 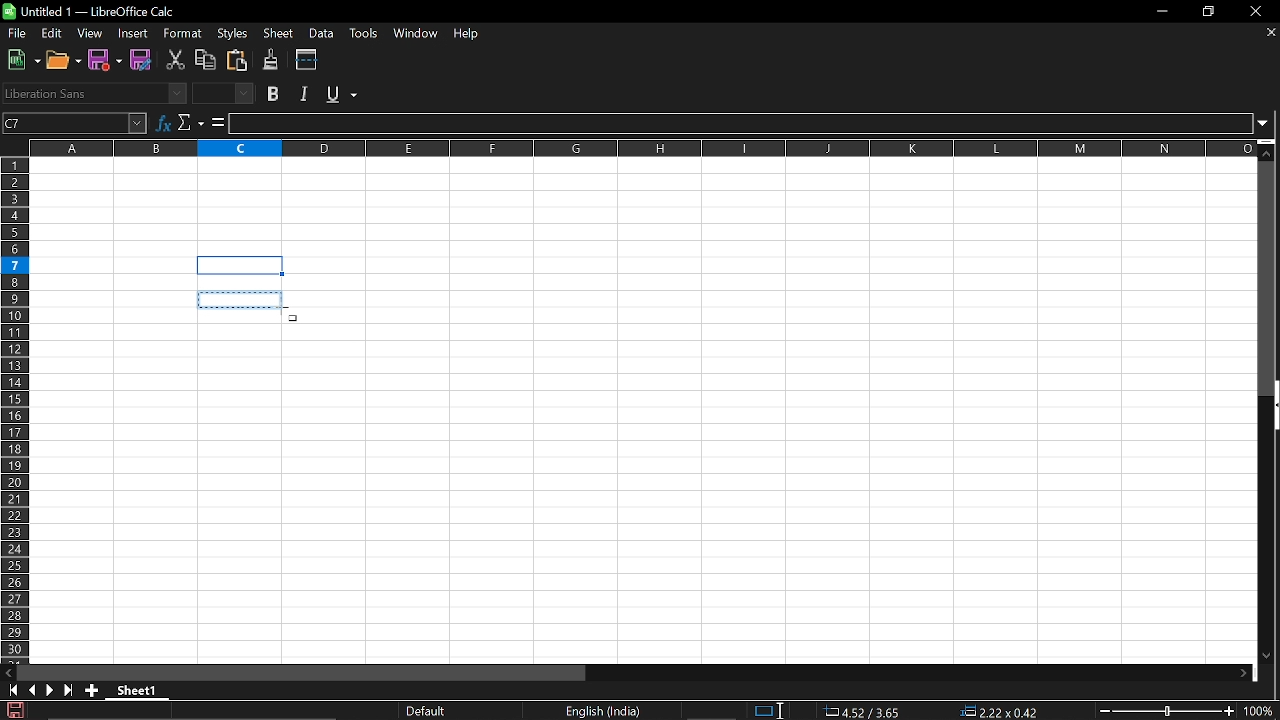 I want to click on Current zoom, so click(x=1262, y=711).